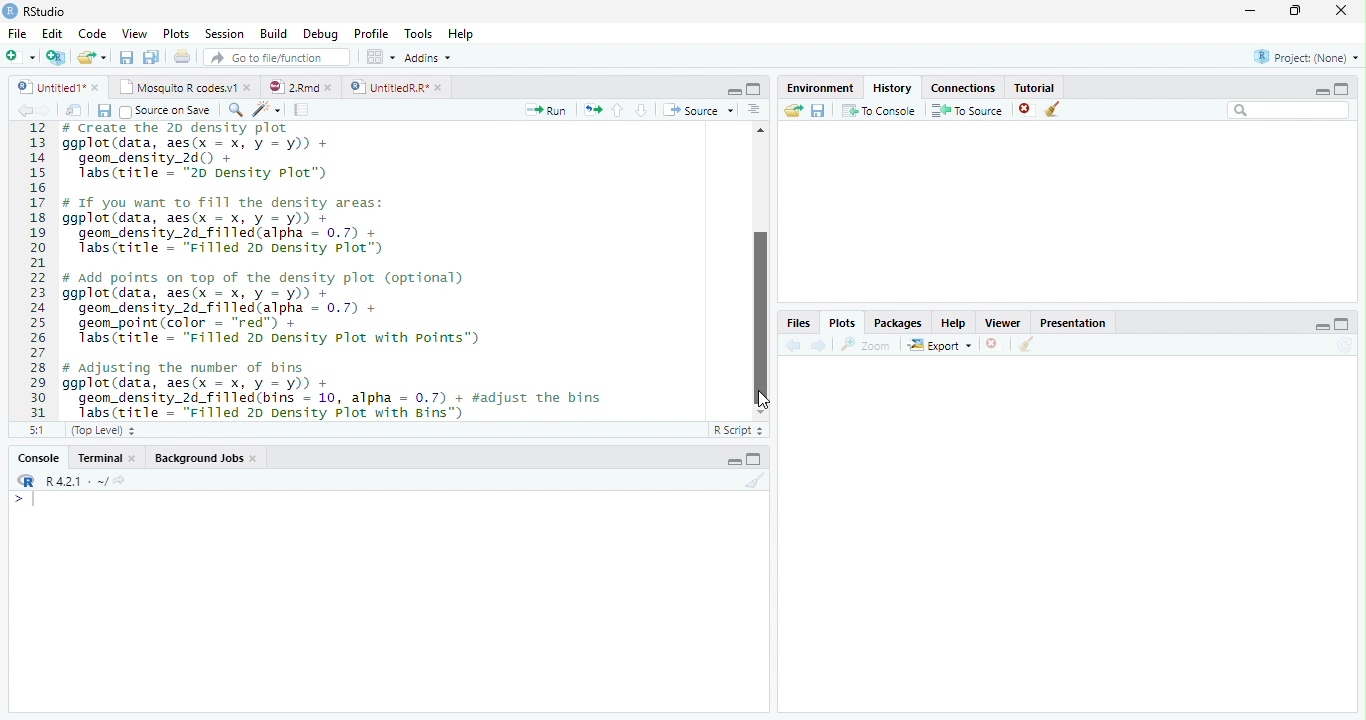  Describe the element at coordinates (968, 111) in the screenshot. I see `To source` at that location.